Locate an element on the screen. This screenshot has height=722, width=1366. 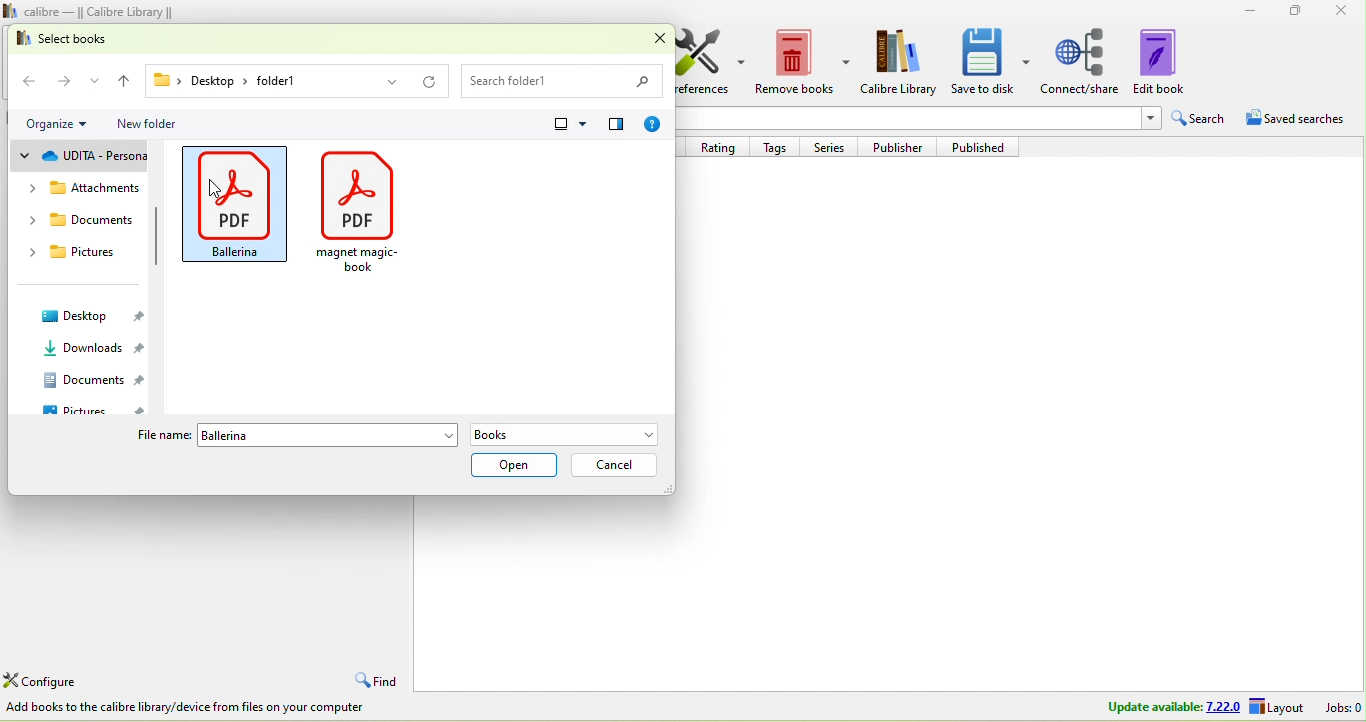
books is located at coordinates (572, 435).